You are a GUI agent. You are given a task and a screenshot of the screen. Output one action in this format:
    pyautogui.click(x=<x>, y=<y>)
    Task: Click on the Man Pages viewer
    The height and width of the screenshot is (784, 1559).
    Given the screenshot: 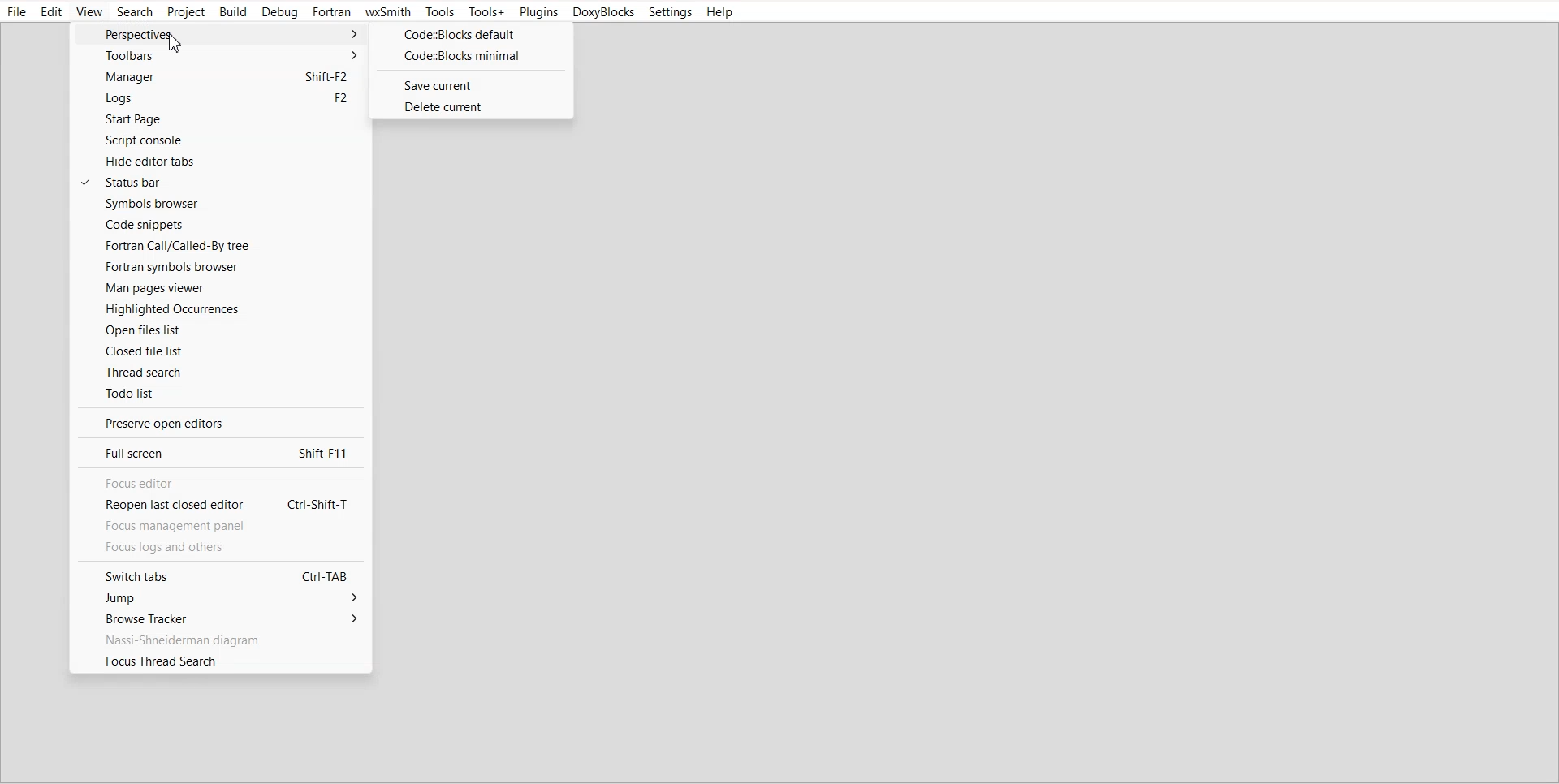 What is the action you would take?
    pyautogui.click(x=219, y=288)
    